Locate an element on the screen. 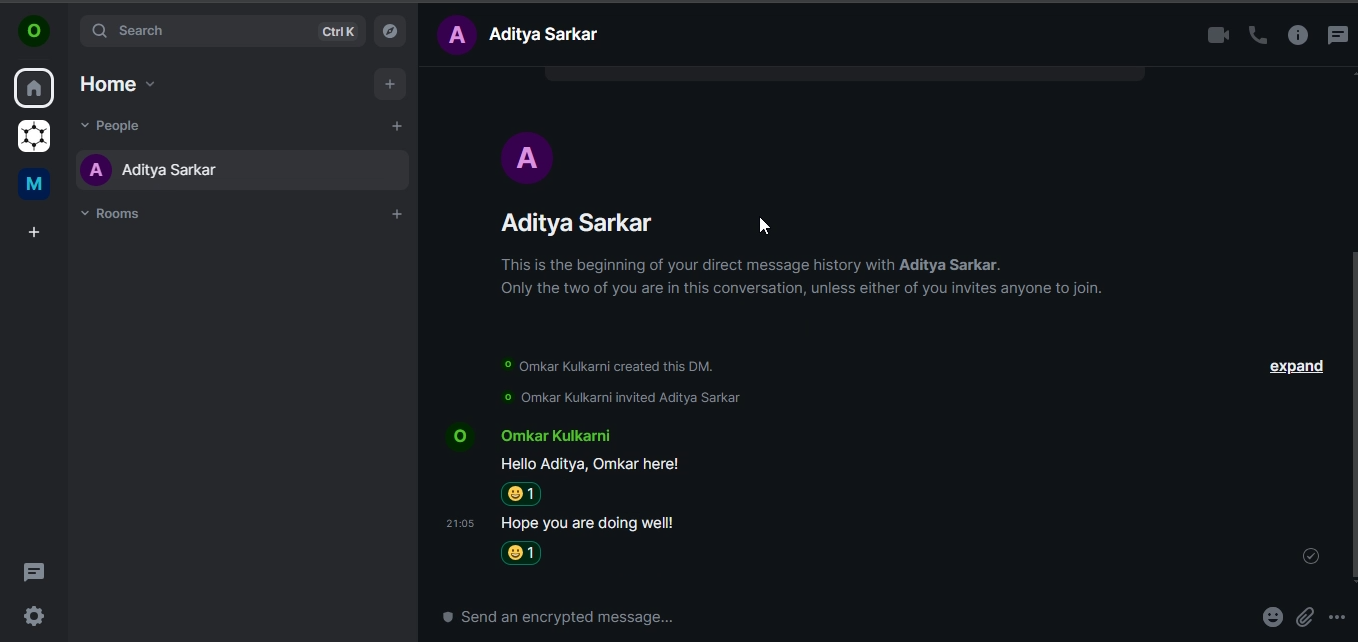  explore rooms is located at coordinates (390, 30).